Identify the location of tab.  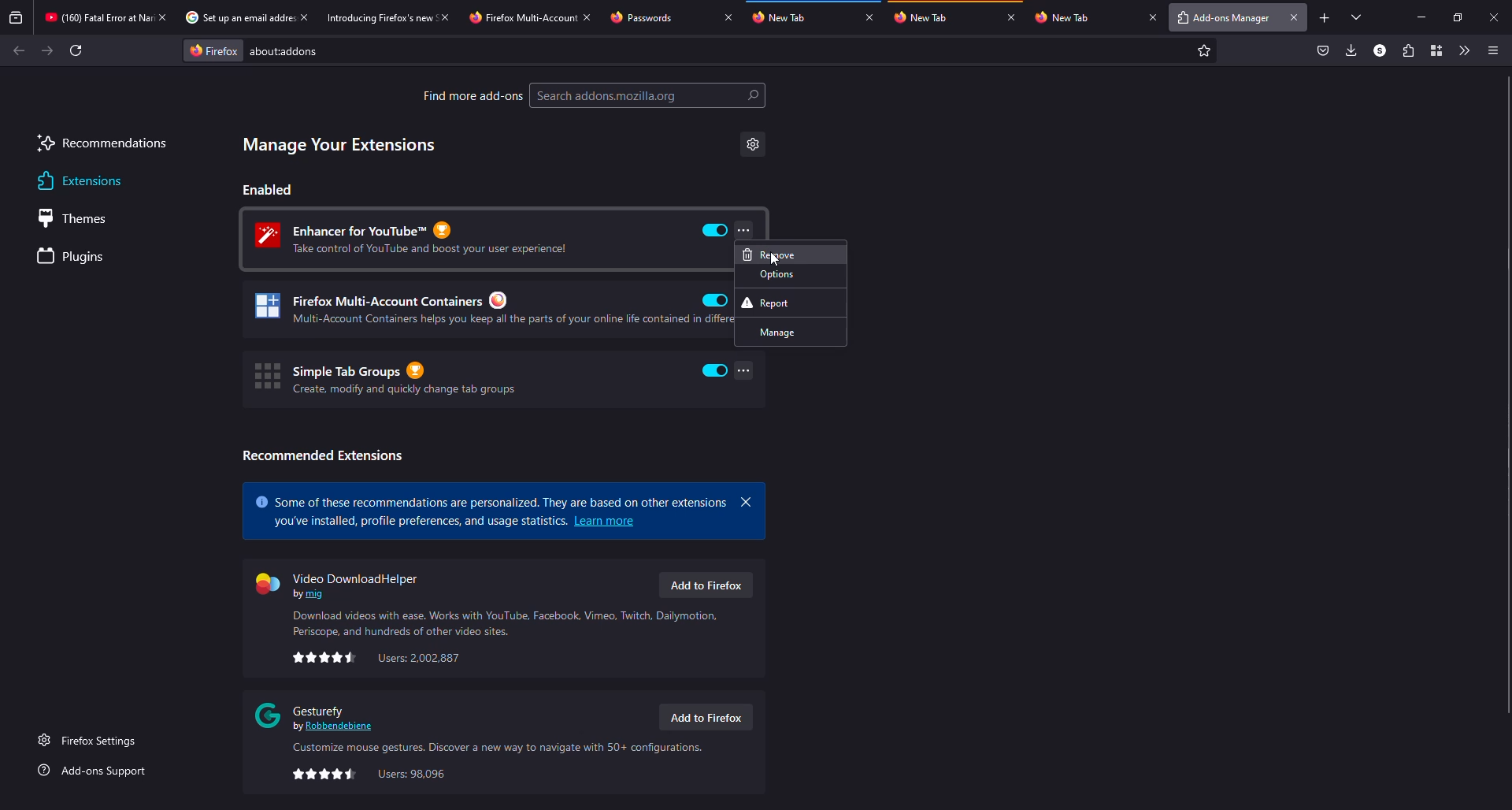
(658, 17).